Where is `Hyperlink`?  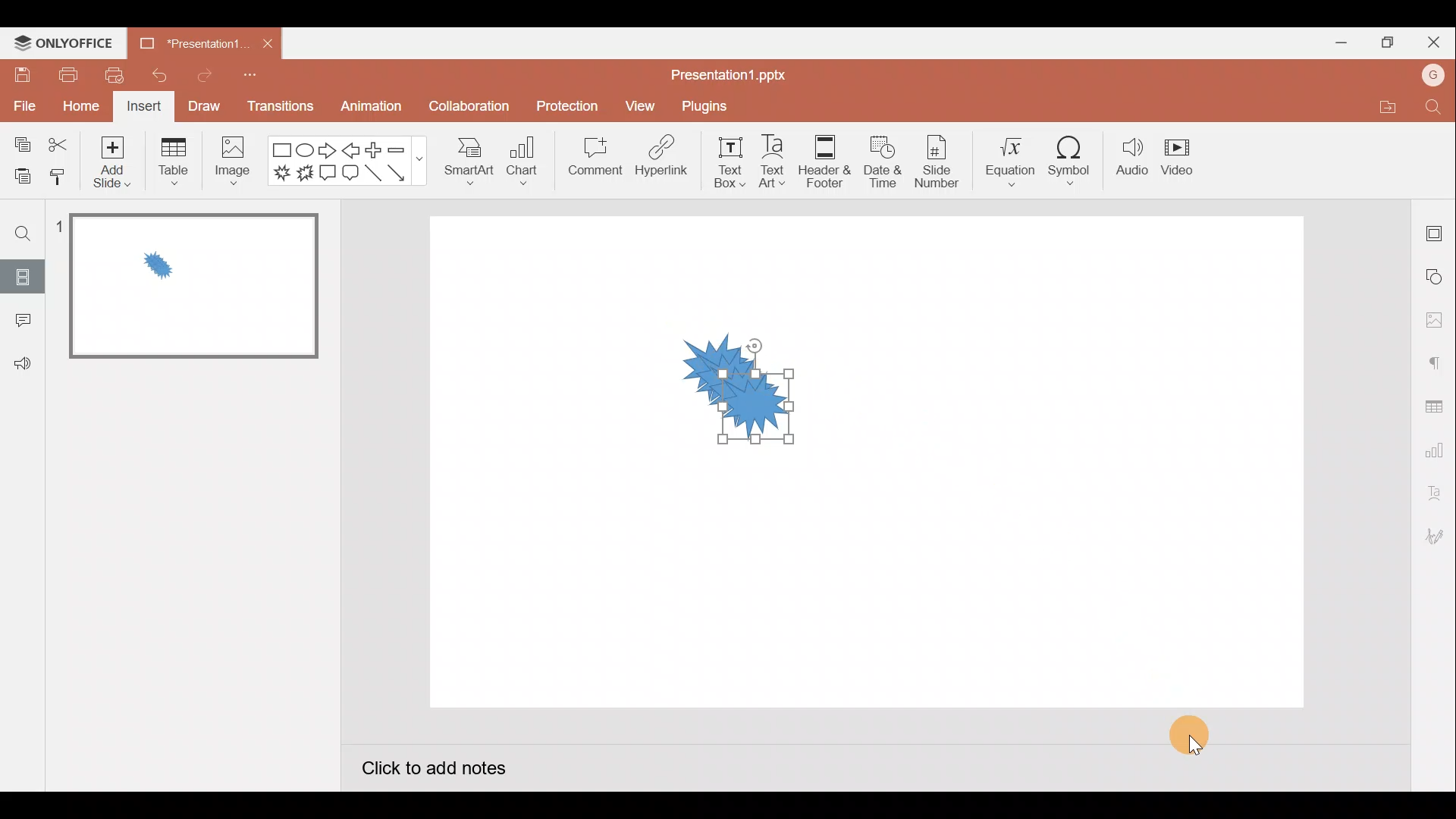
Hyperlink is located at coordinates (661, 159).